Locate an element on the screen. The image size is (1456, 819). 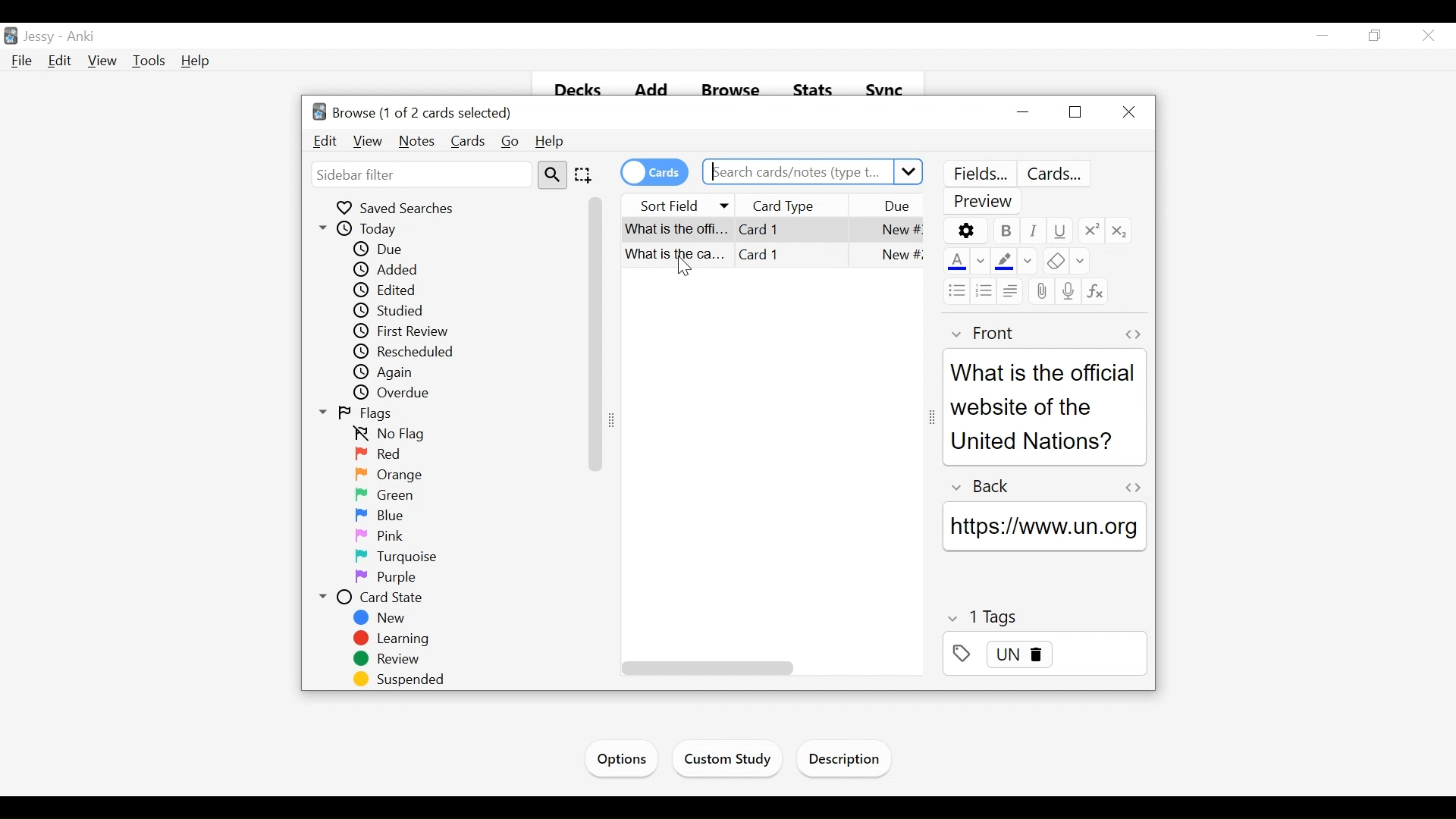
Subscript is located at coordinates (1120, 230).